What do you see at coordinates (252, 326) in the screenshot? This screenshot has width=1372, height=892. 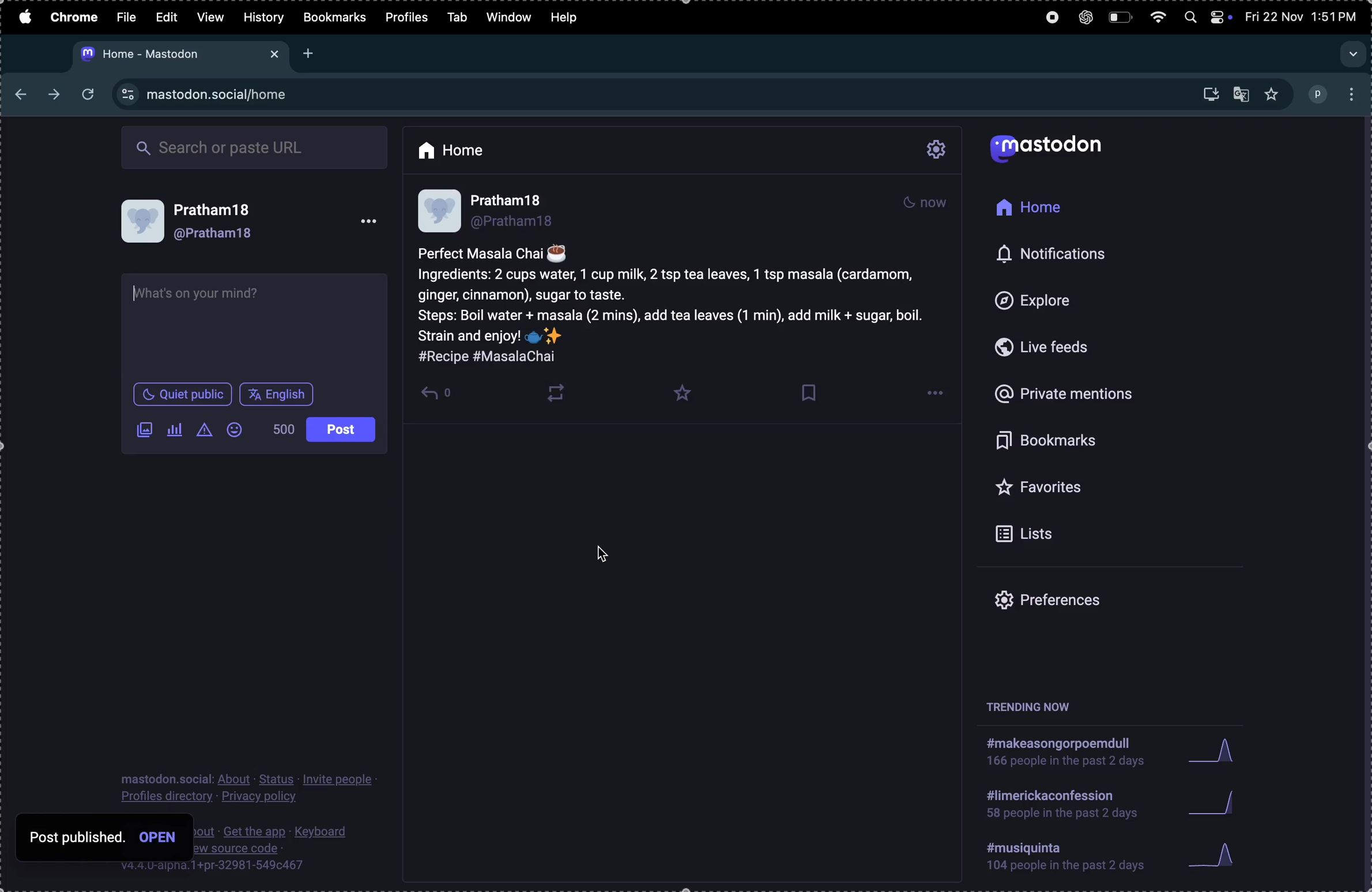 I see `text box` at bounding box center [252, 326].